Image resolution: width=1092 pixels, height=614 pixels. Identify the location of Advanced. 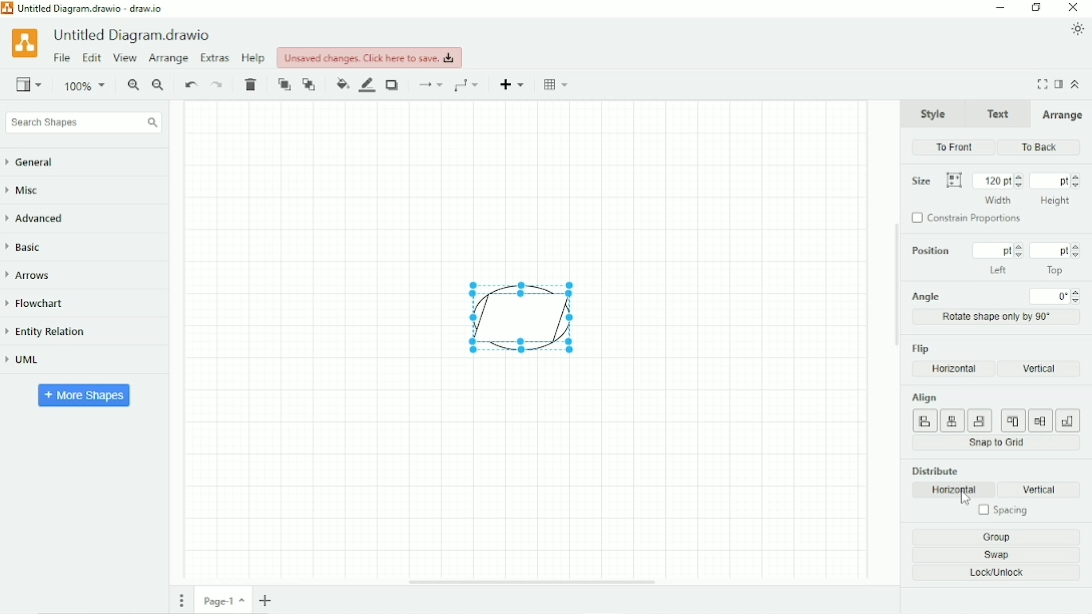
(42, 218).